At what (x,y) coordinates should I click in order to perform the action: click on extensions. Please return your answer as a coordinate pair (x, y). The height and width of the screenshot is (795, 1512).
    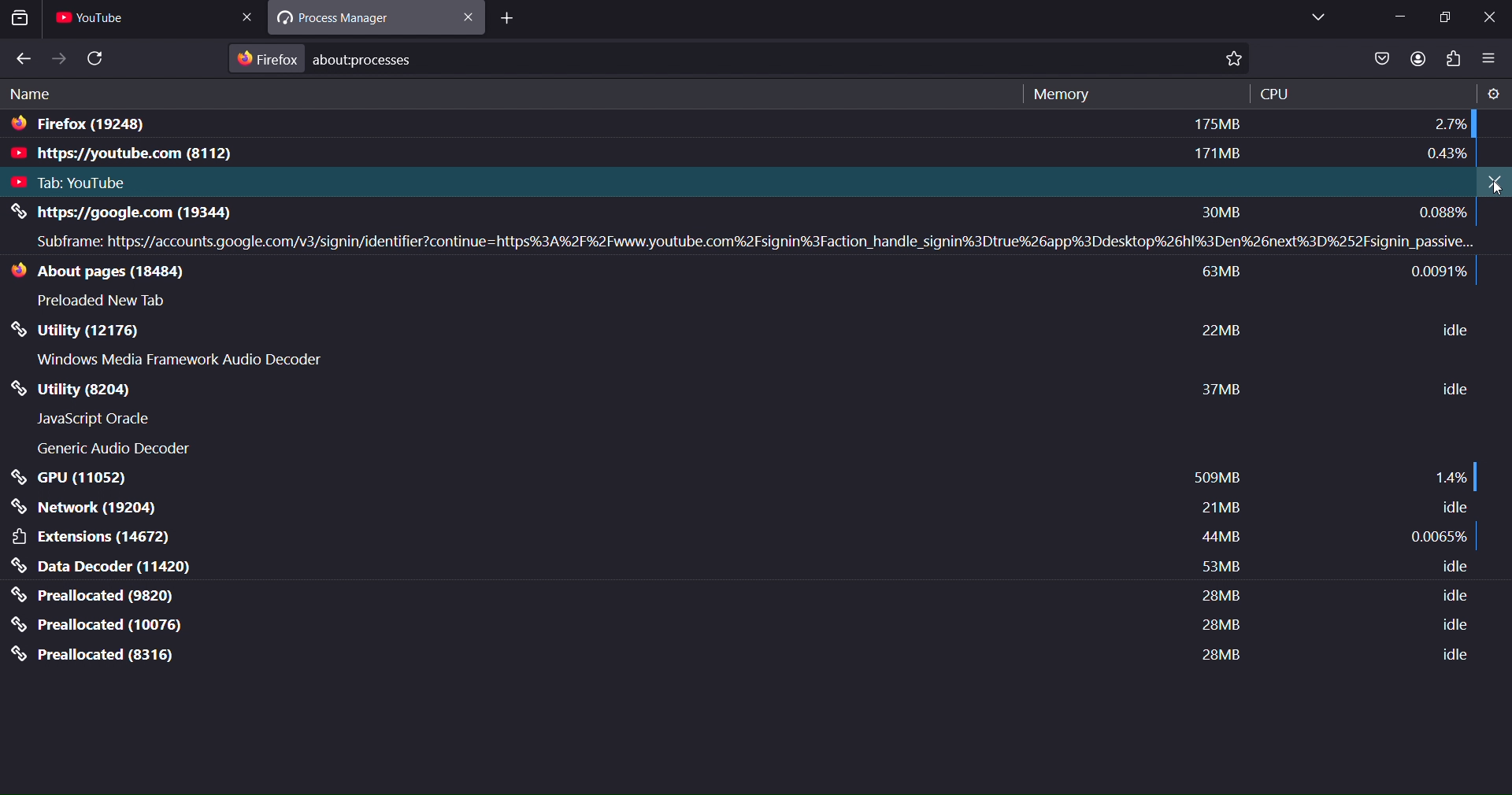
    Looking at the image, I should click on (94, 537).